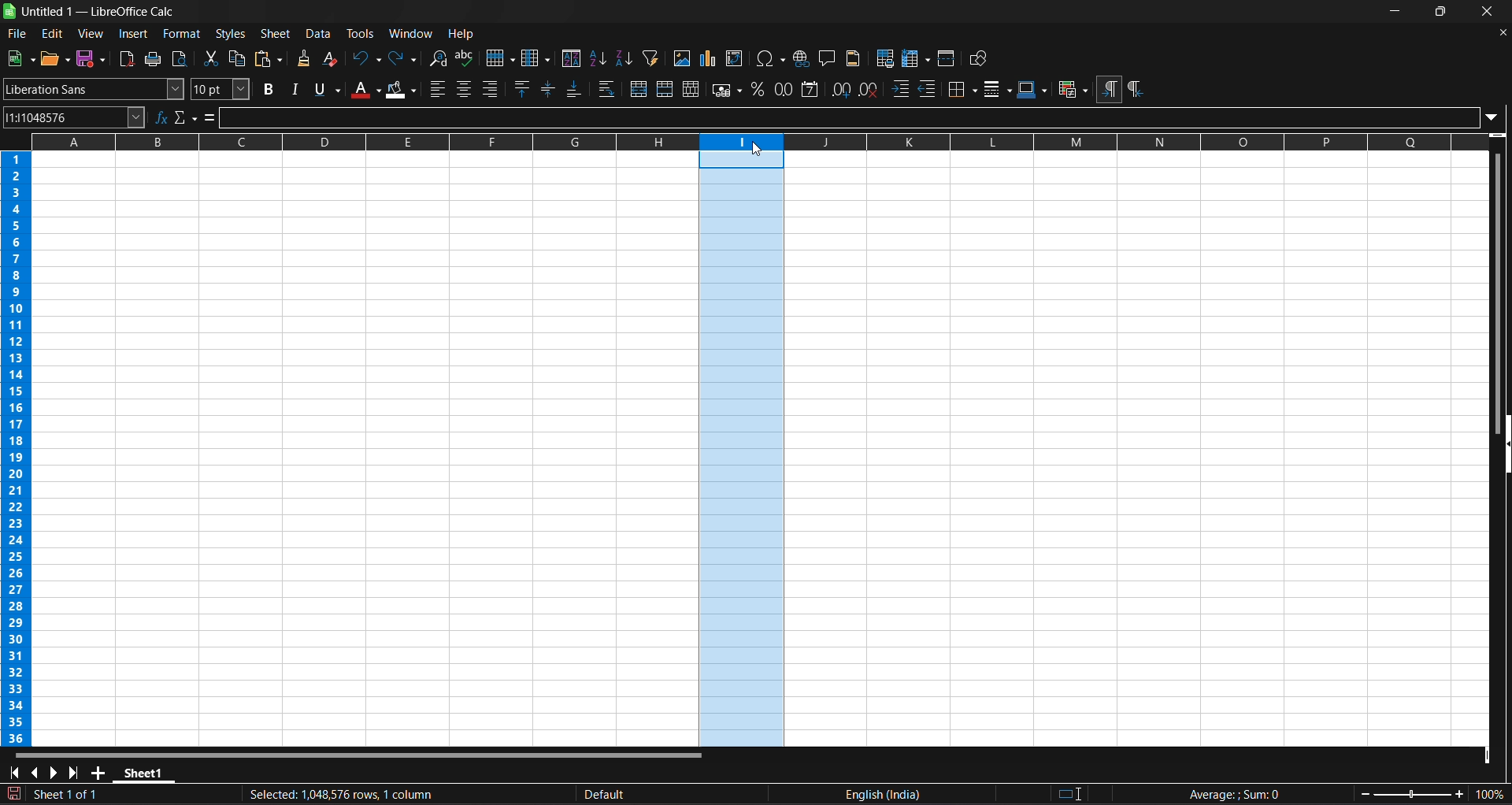 Image resolution: width=1512 pixels, height=805 pixels. I want to click on styles, so click(230, 34).